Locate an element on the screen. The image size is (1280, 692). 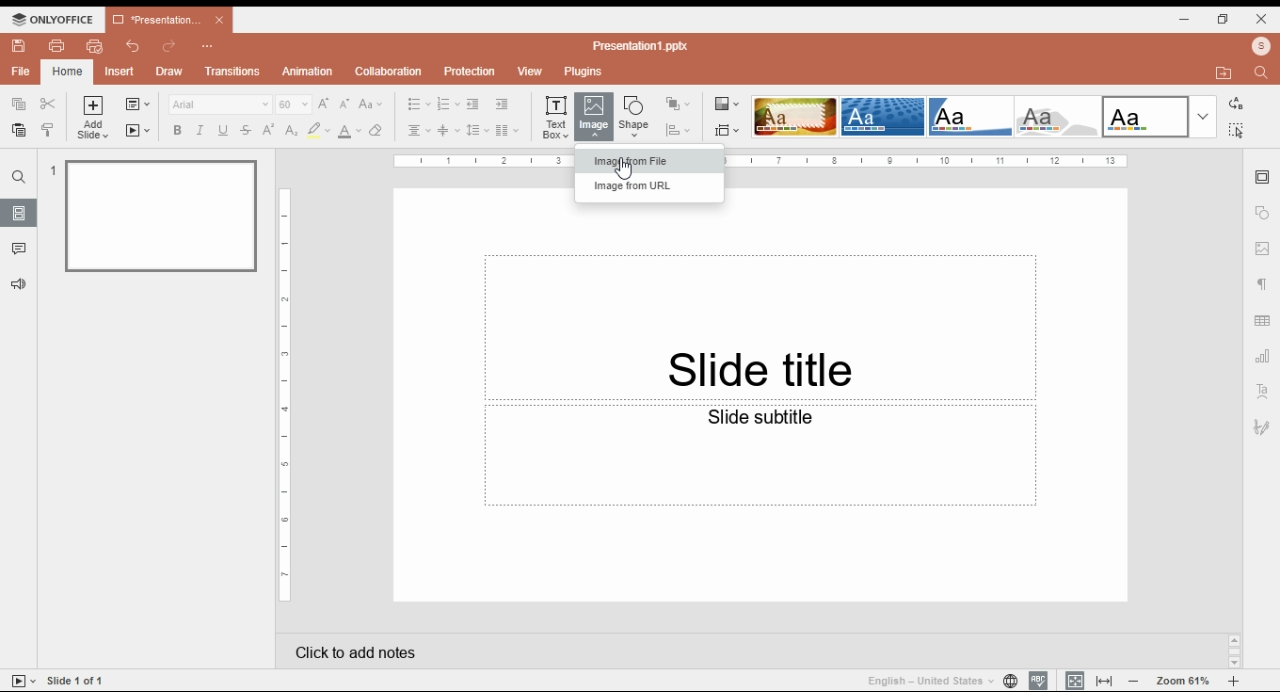
find is located at coordinates (18, 177).